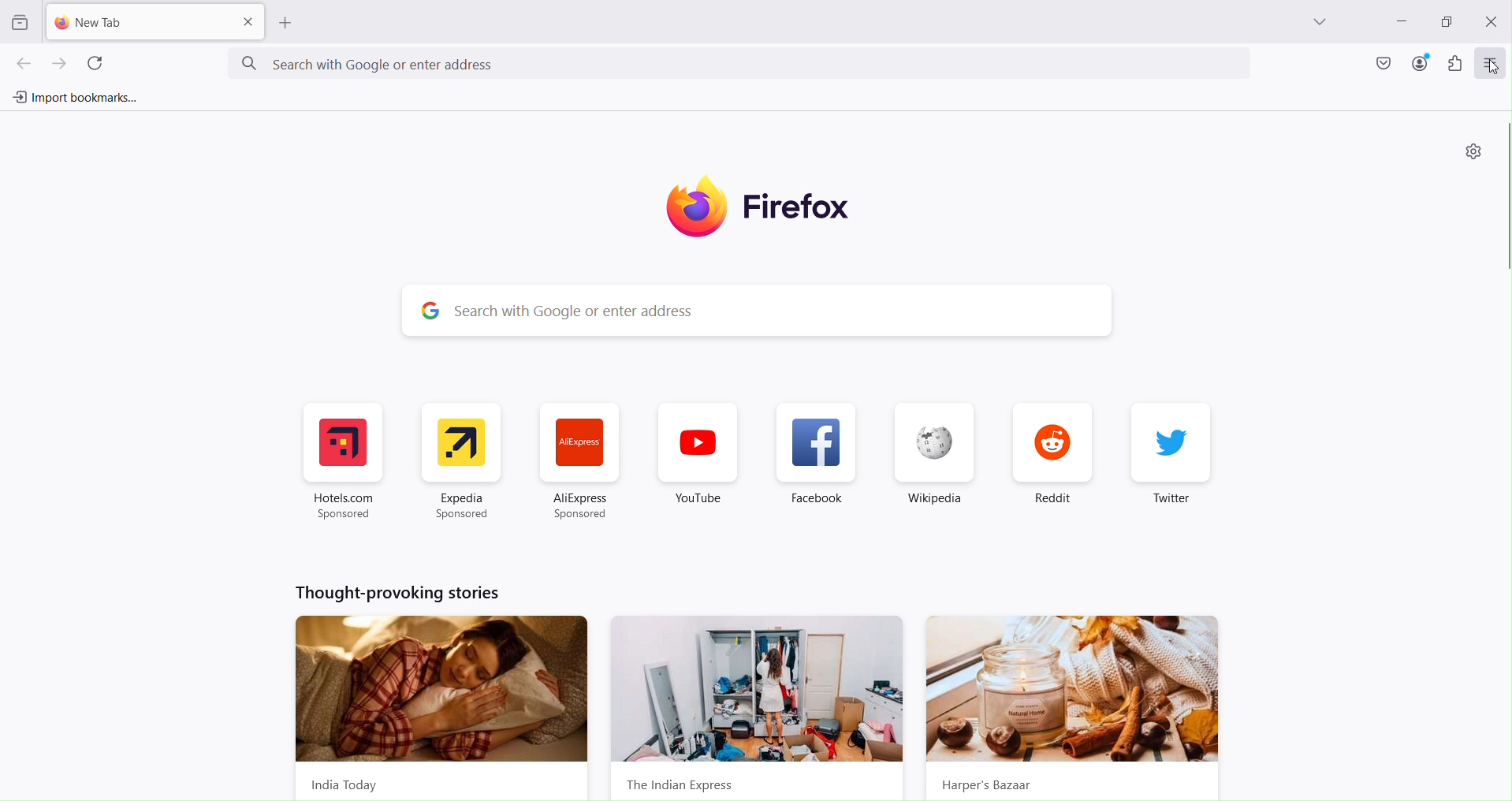  What do you see at coordinates (426, 310) in the screenshot?
I see `google logo` at bounding box center [426, 310].